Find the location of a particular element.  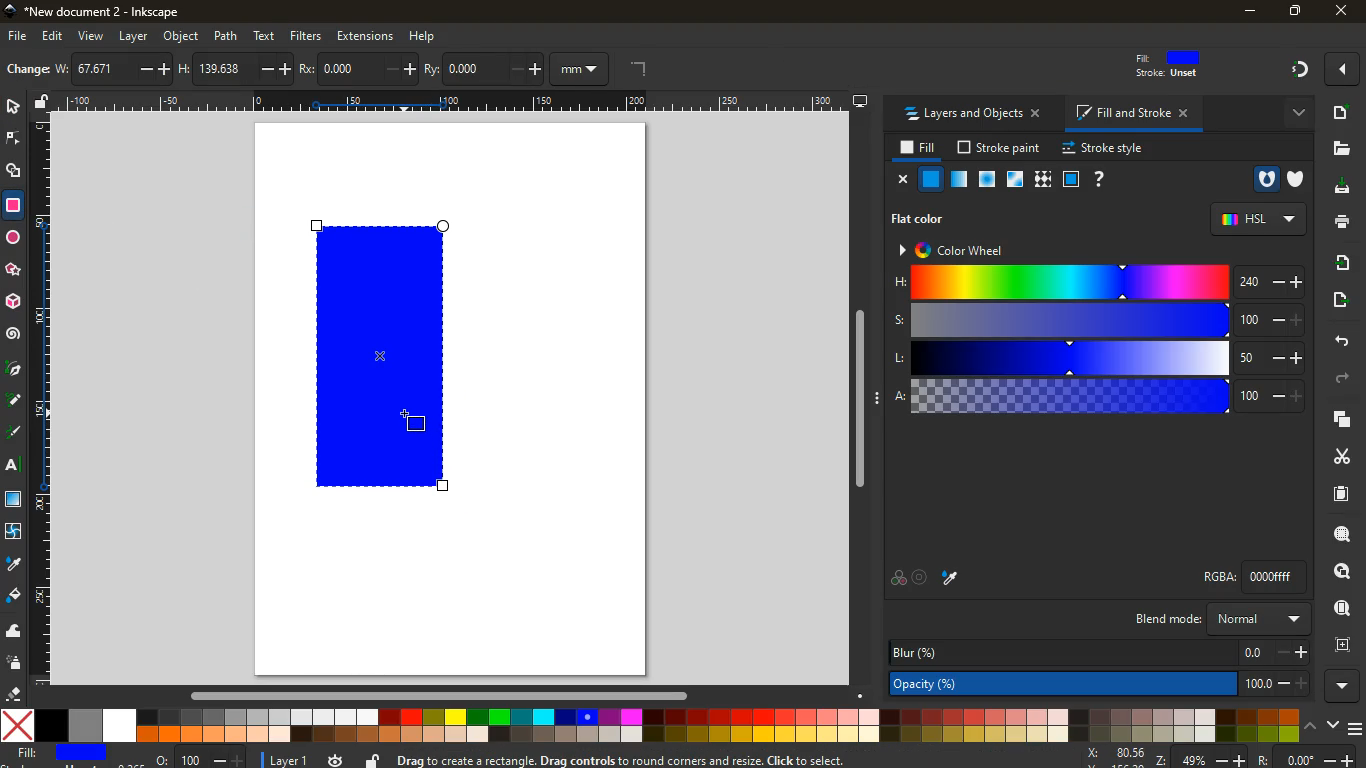

inkscape is located at coordinates (96, 10).